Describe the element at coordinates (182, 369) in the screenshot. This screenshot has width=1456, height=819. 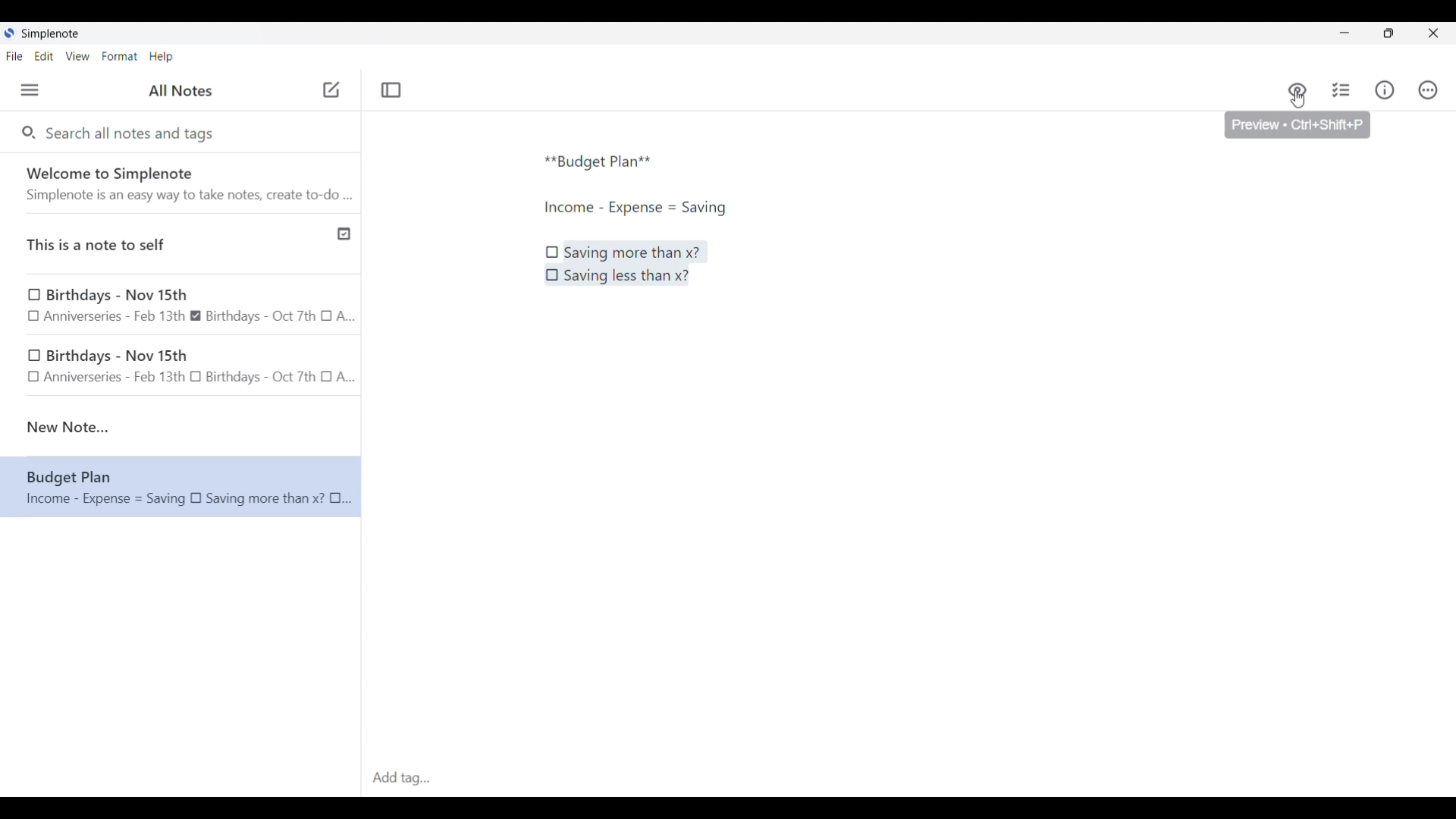
I see `birthday note` at that location.